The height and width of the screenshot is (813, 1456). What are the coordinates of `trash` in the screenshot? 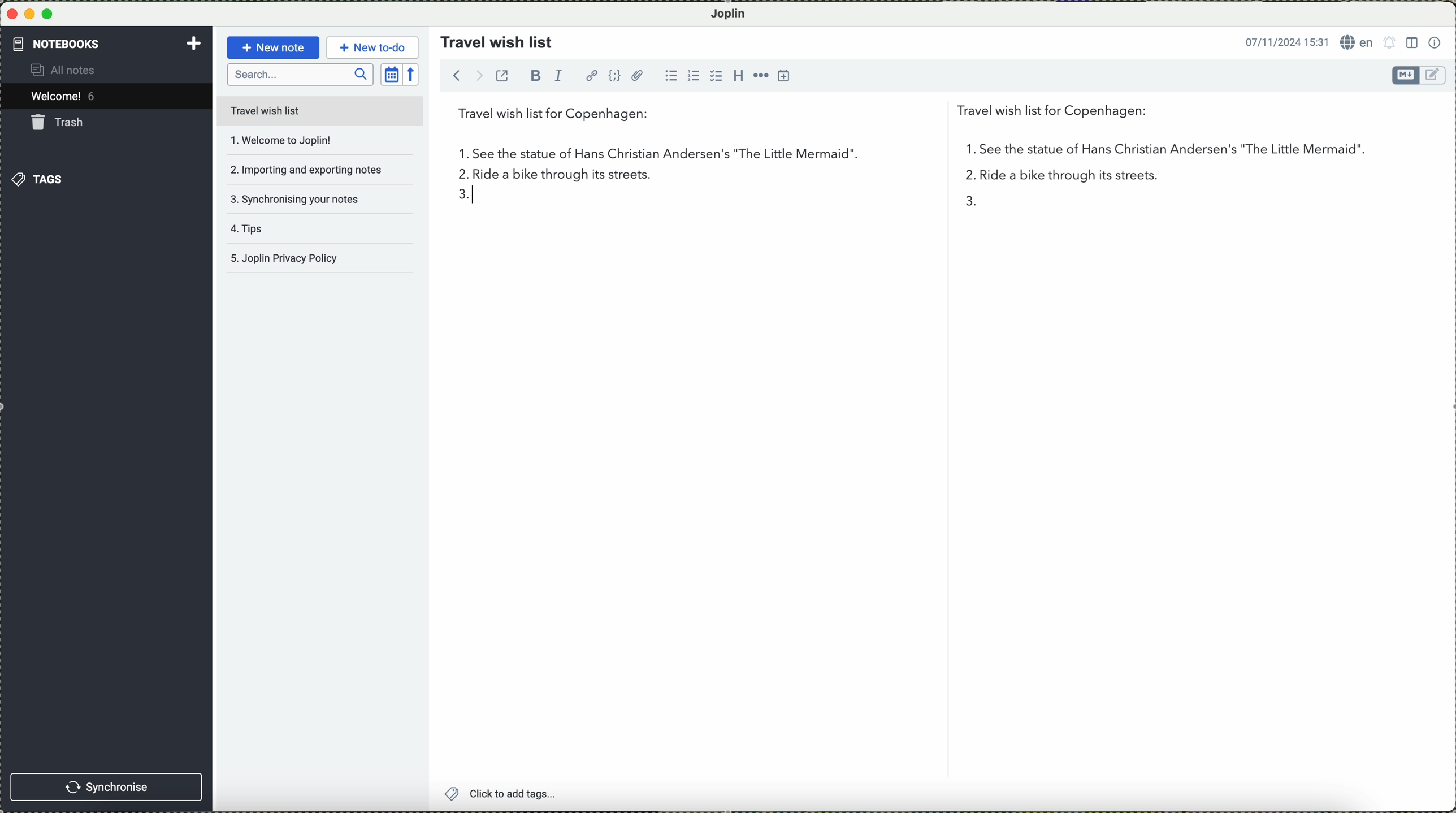 It's located at (60, 122).